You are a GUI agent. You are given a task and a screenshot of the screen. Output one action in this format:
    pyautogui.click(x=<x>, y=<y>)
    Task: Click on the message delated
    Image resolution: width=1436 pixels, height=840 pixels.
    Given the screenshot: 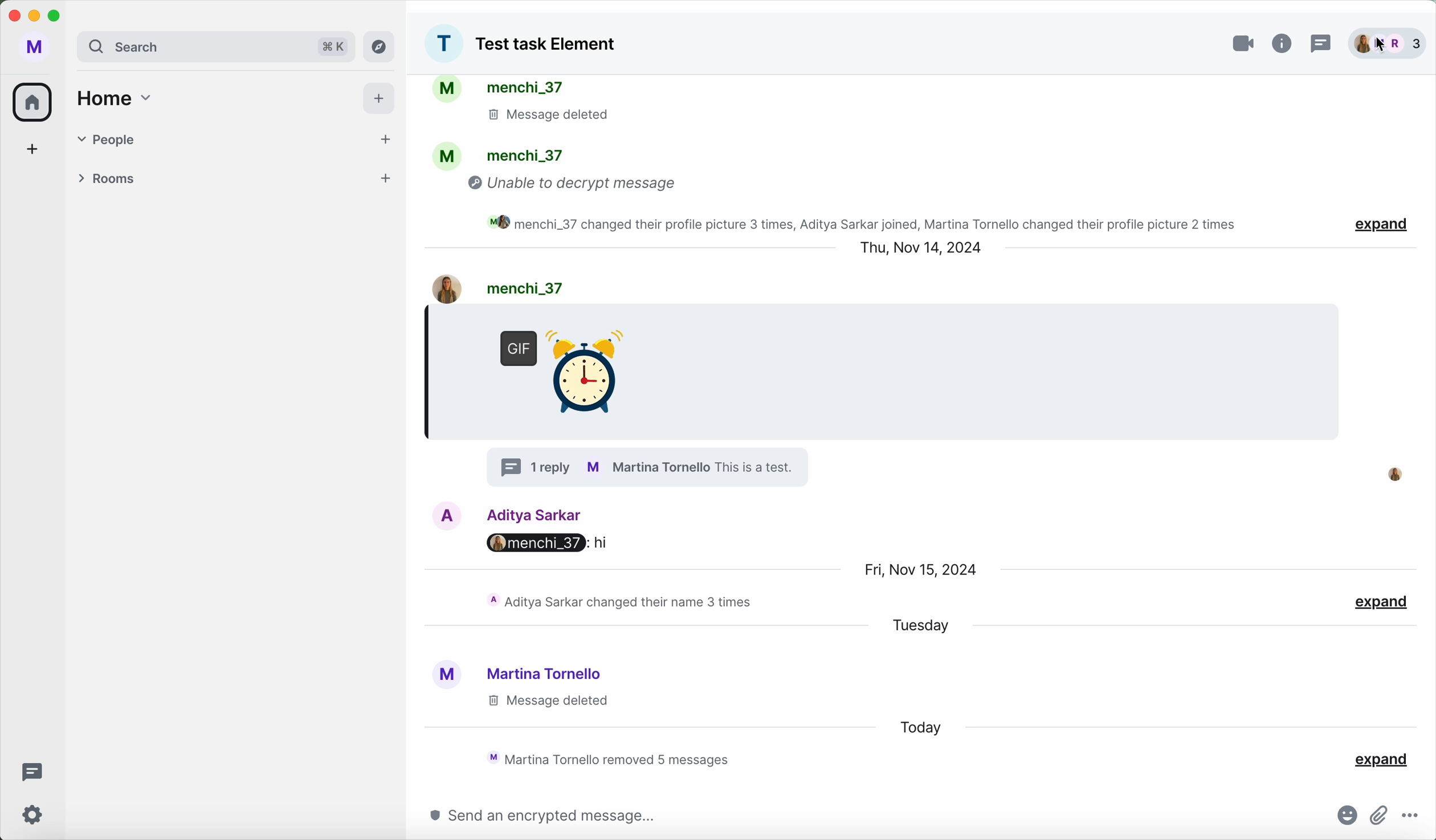 What is the action you would take?
    pyautogui.click(x=546, y=702)
    